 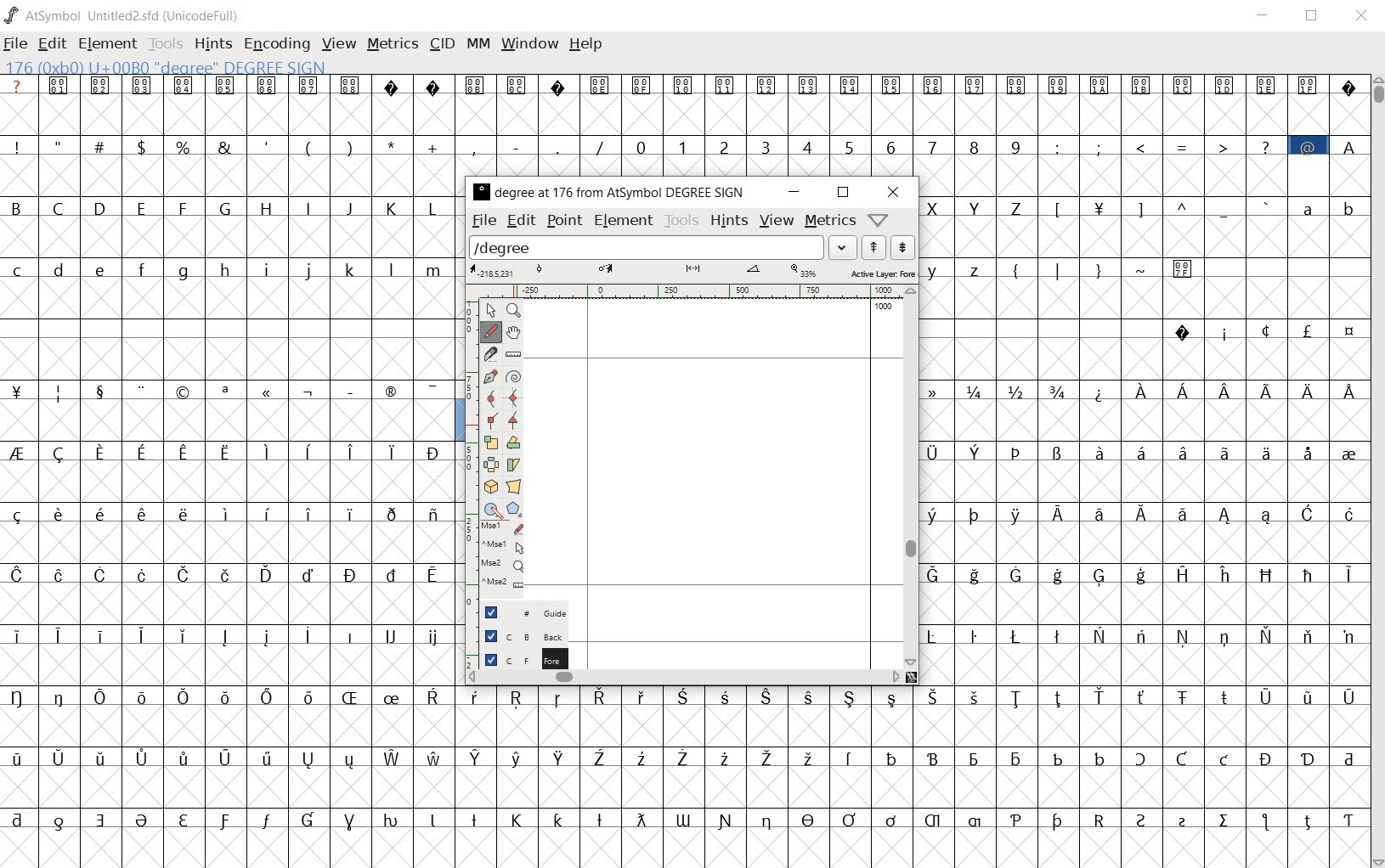 I want to click on unsupported charters, so click(x=414, y=84).